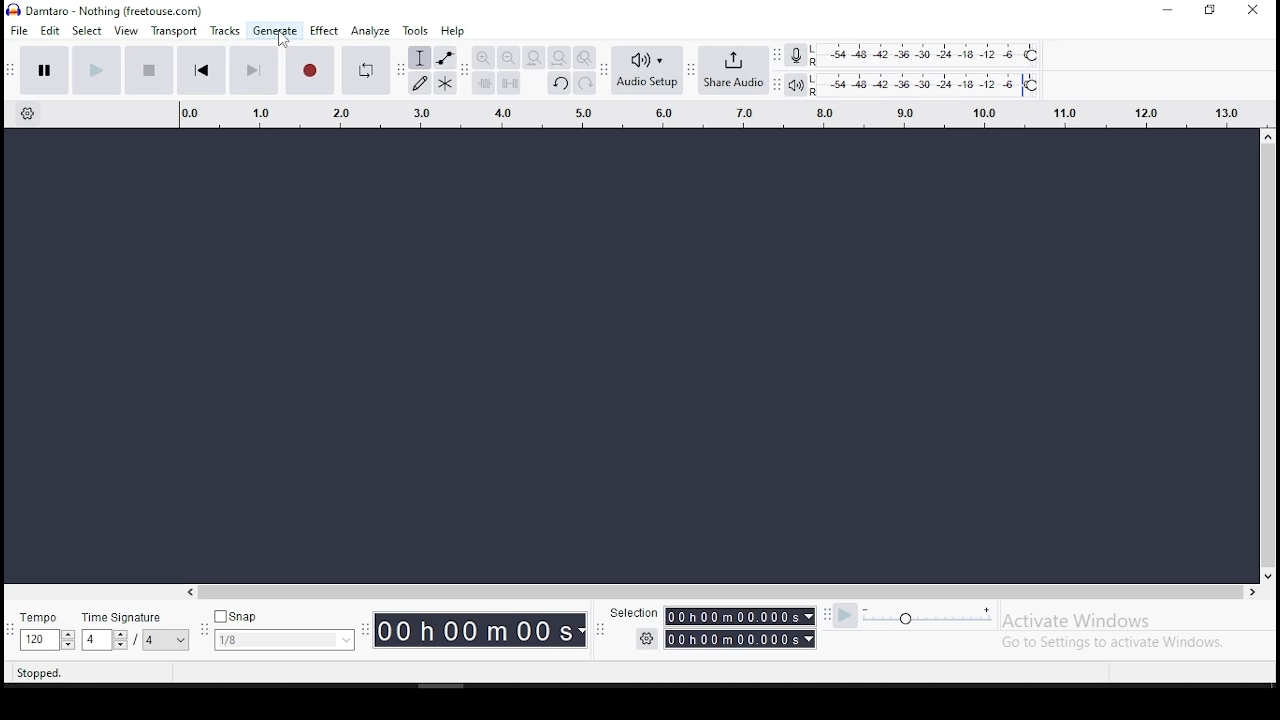 Image resolution: width=1280 pixels, height=720 pixels. What do you see at coordinates (534, 57) in the screenshot?
I see `fit project to width` at bounding box center [534, 57].